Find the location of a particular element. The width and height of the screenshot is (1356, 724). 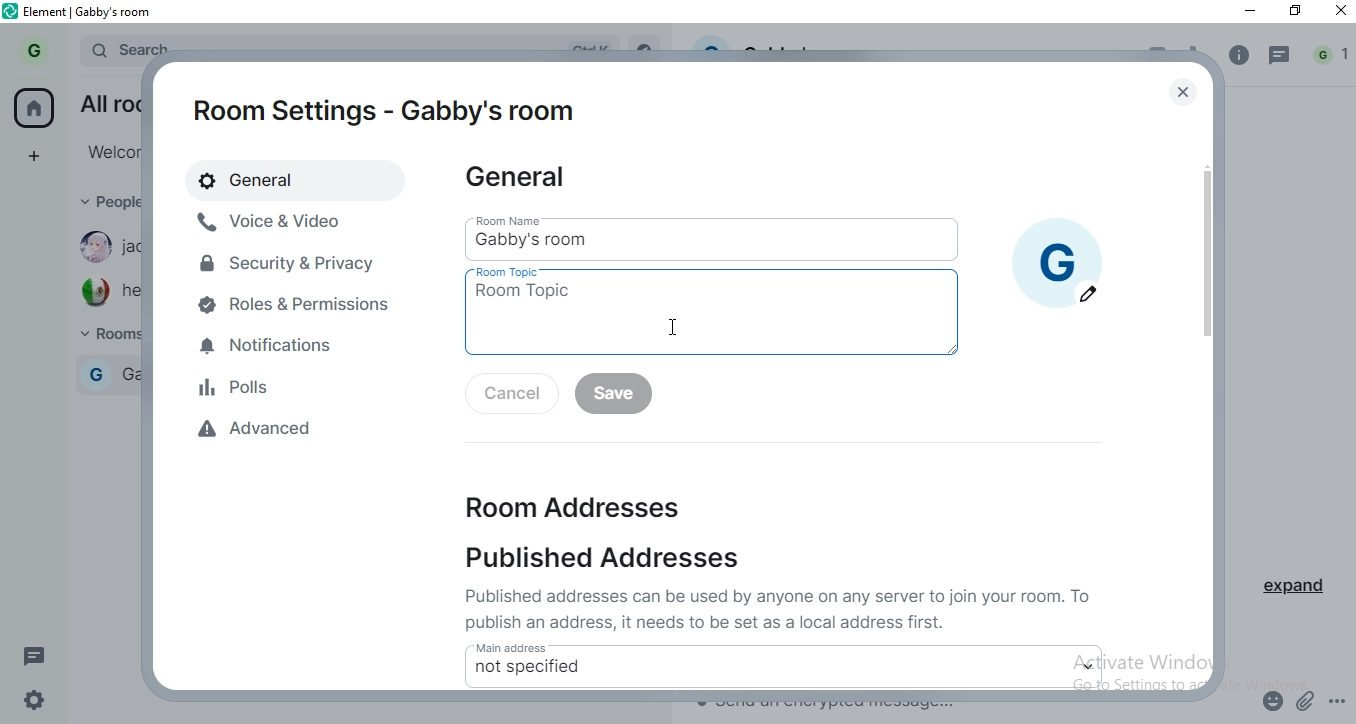

rooms is located at coordinates (103, 336).